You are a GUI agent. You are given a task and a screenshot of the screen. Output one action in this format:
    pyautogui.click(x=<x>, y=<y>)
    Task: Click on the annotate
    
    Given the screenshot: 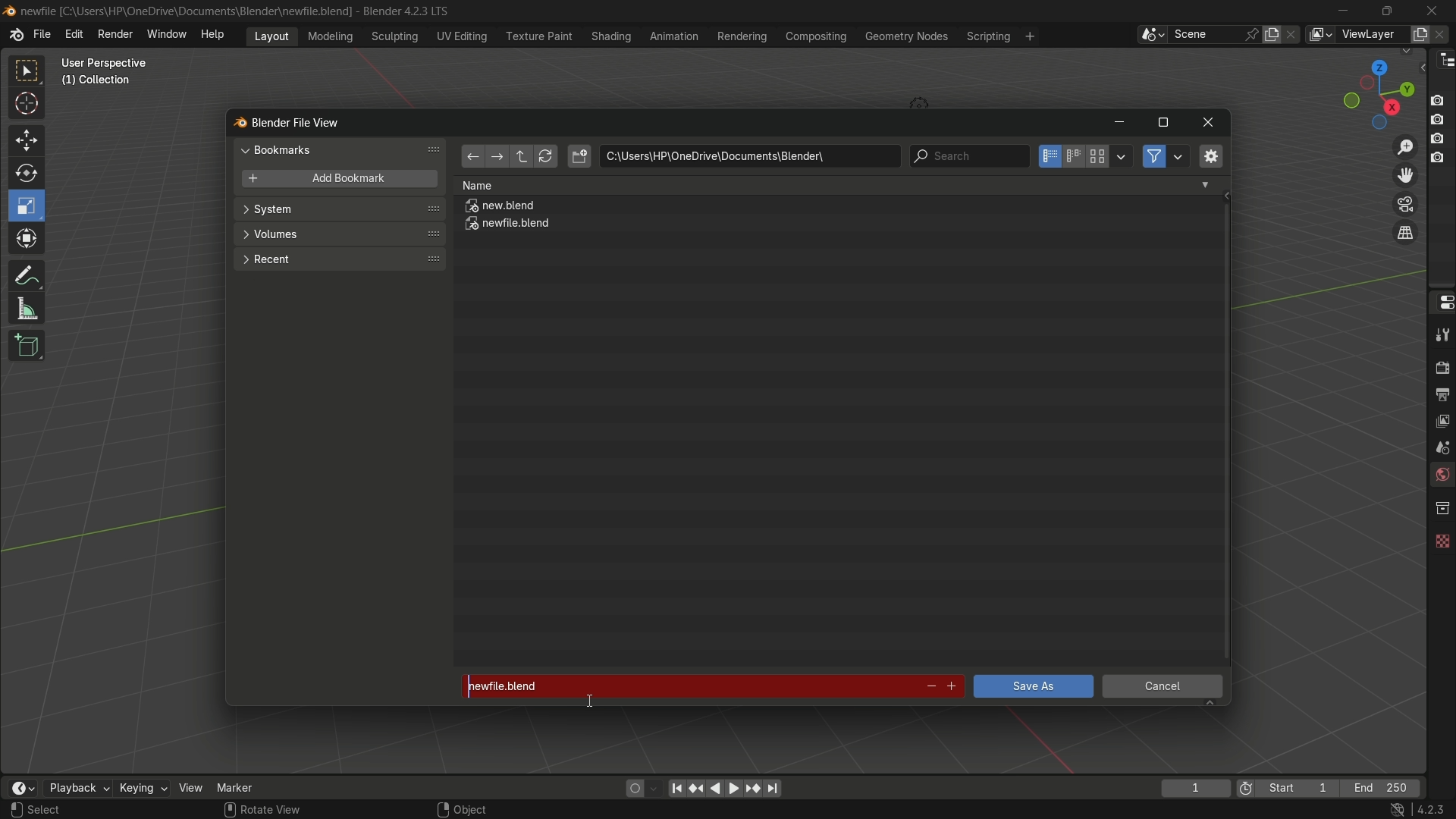 What is the action you would take?
    pyautogui.click(x=26, y=274)
    